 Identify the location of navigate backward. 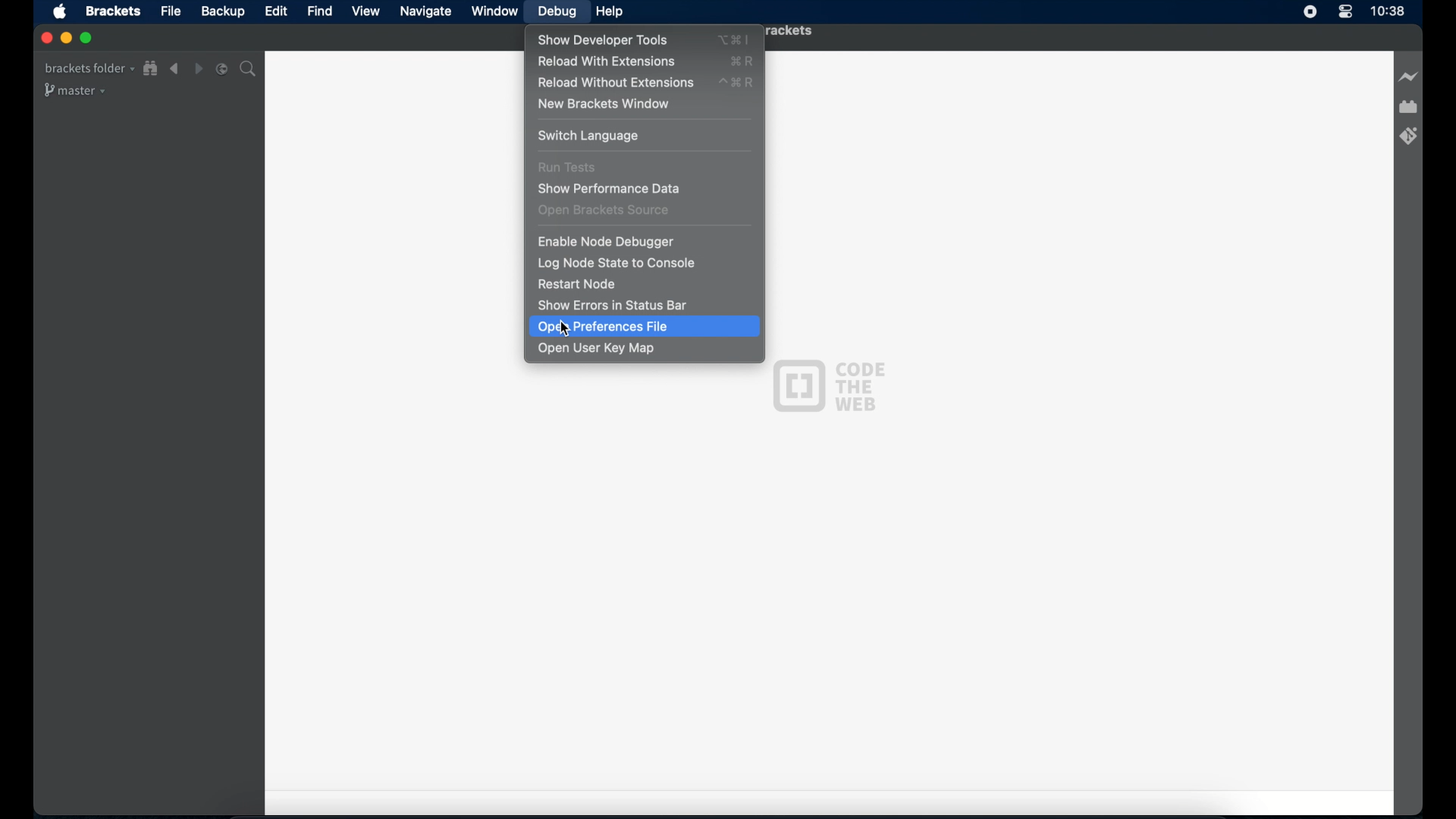
(174, 69).